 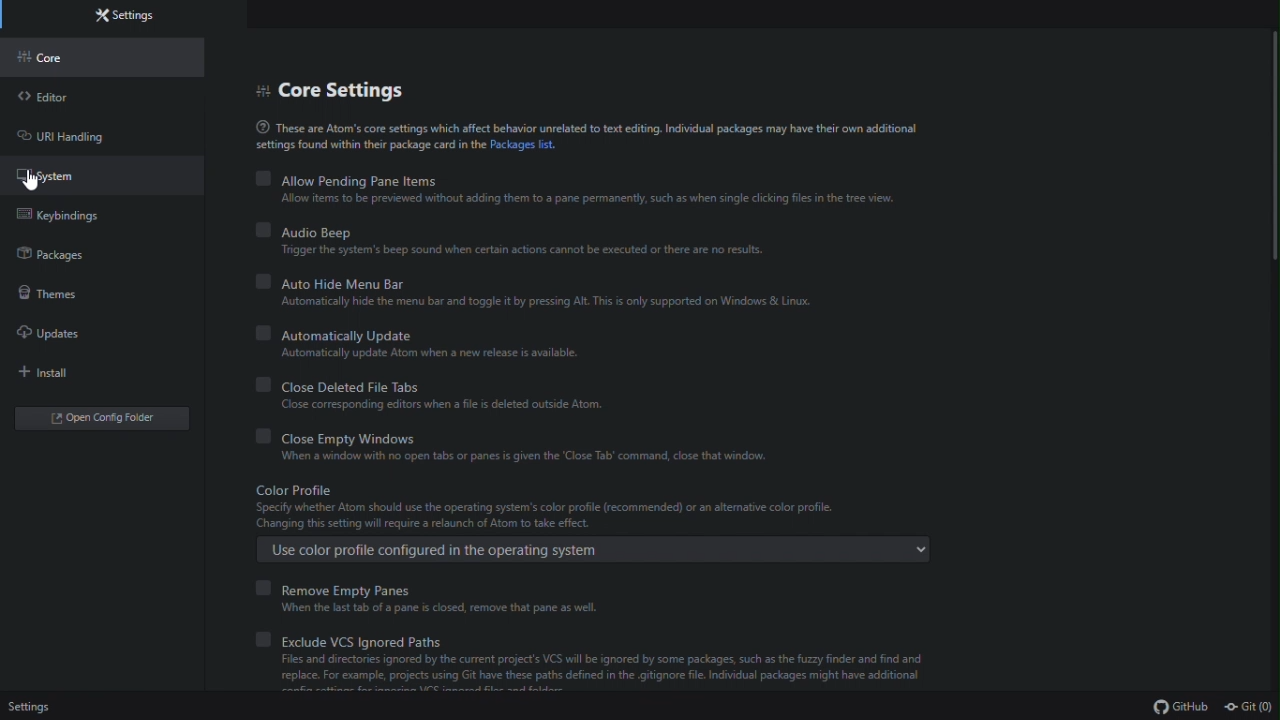 What do you see at coordinates (105, 419) in the screenshot?
I see `Open folder` at bounding box center [105, 419].